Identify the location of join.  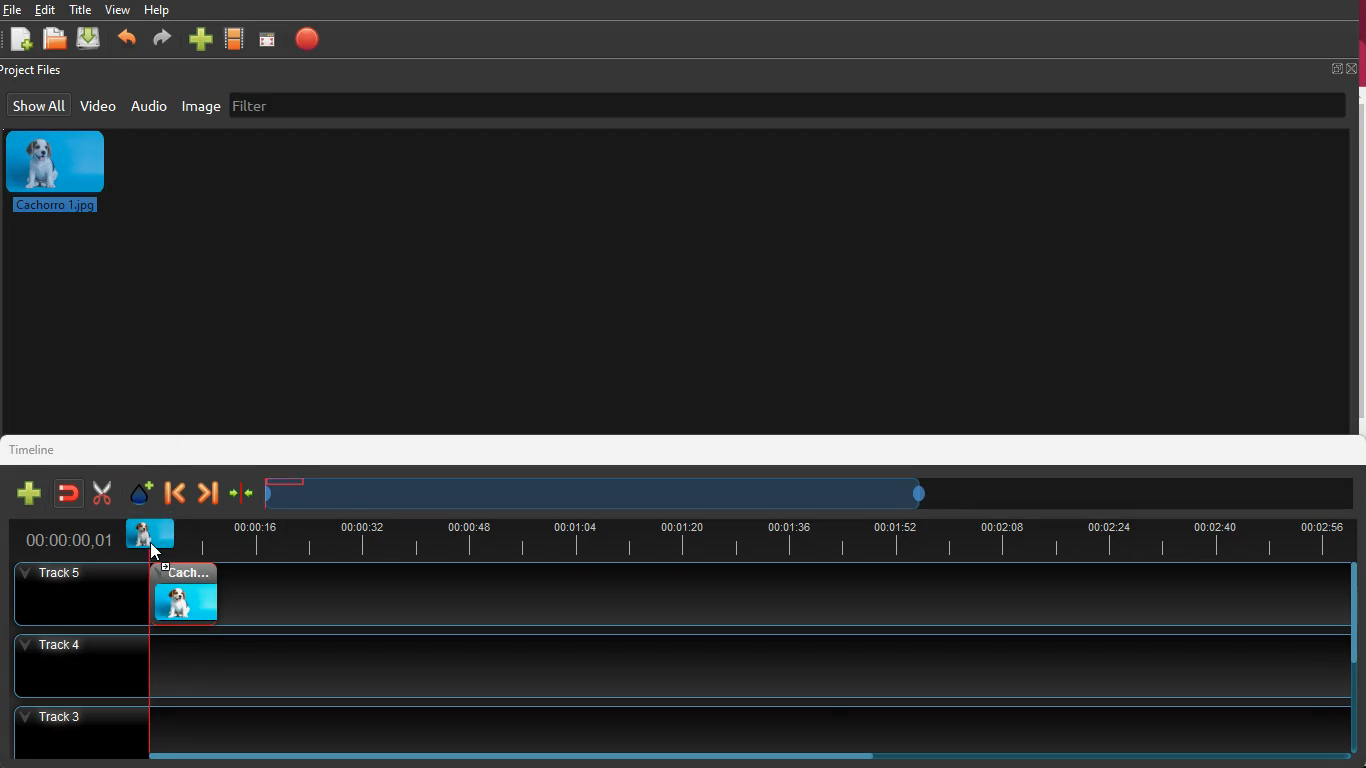
(242, 493).